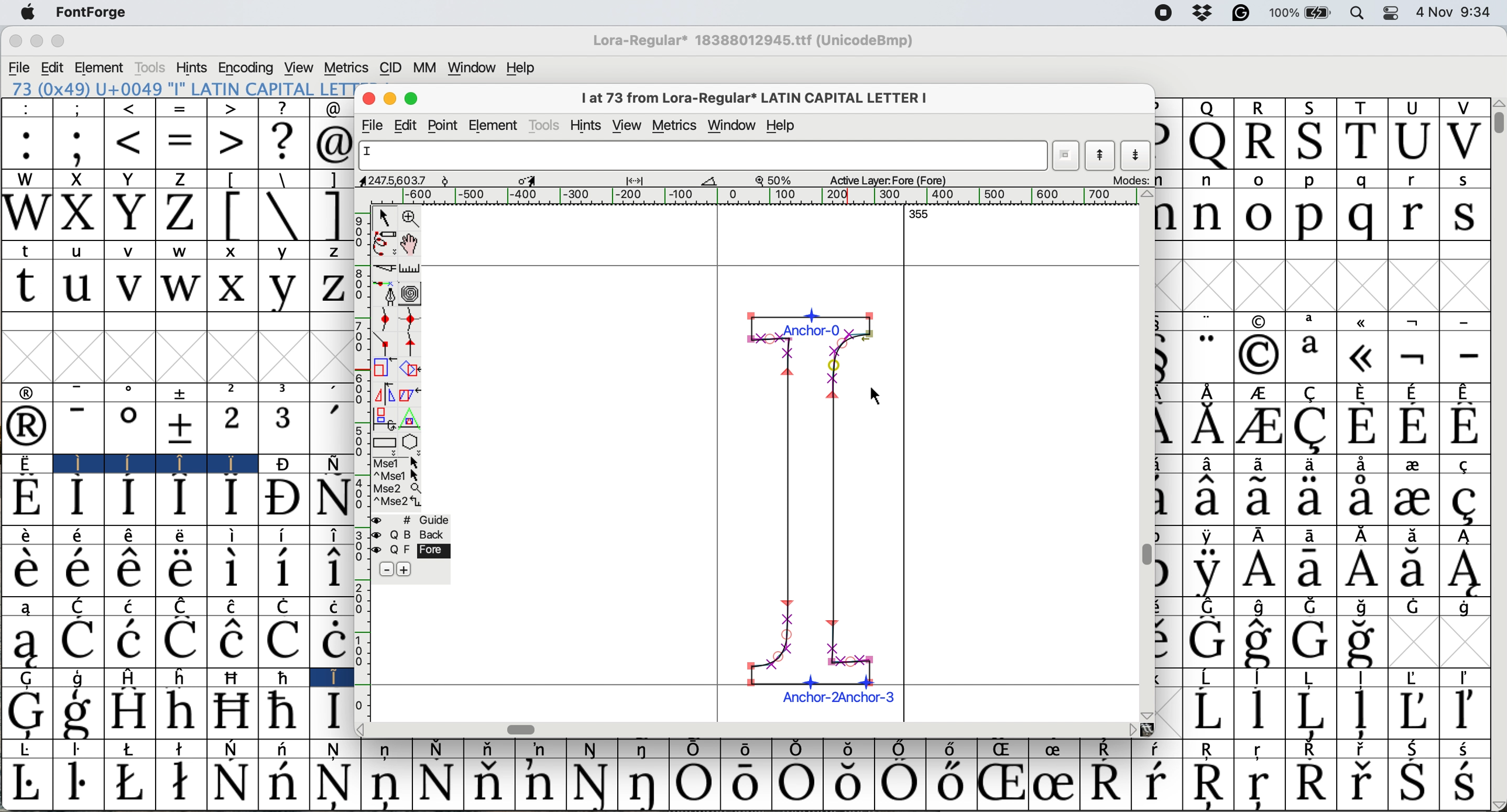  I want to click on Z, so click(182, 215).